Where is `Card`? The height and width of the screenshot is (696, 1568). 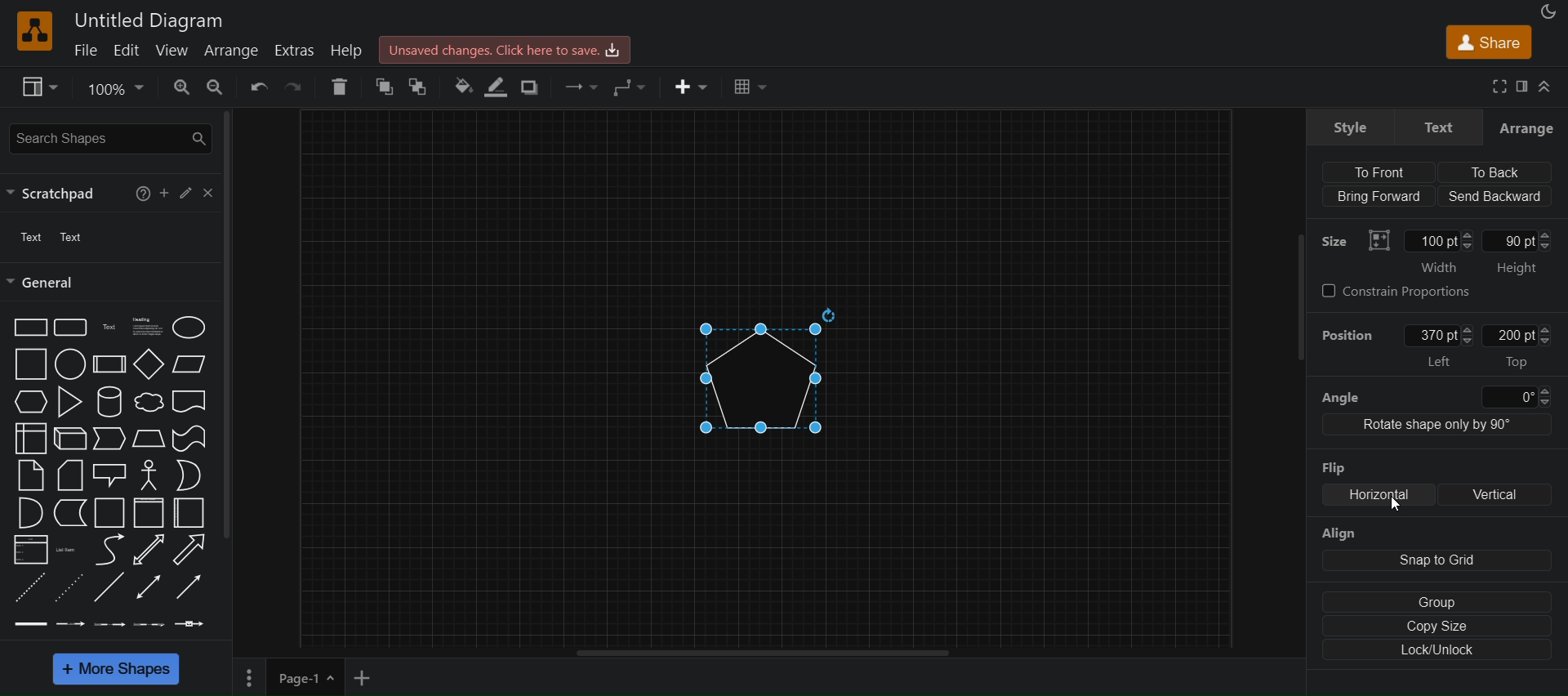 Card is located at coordinates (70, 475).